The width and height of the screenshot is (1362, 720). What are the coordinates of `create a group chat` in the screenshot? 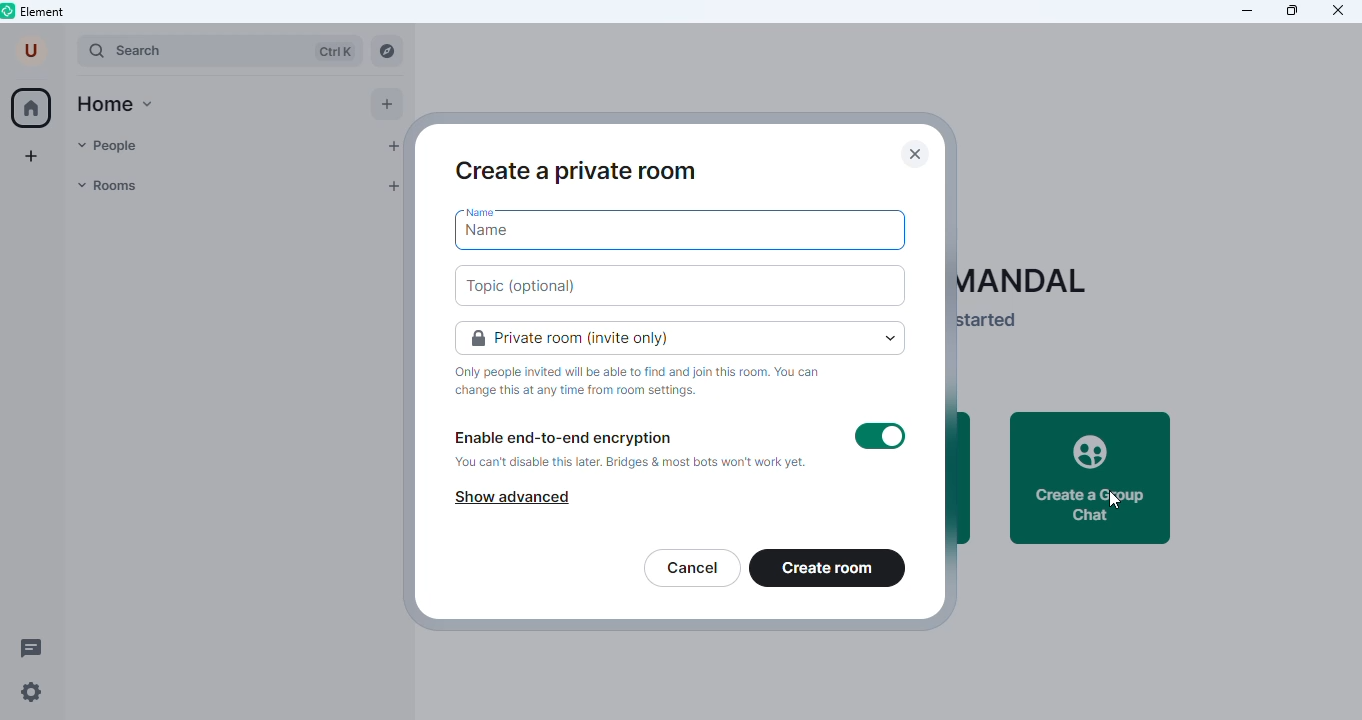 It's located at (1090, 476).